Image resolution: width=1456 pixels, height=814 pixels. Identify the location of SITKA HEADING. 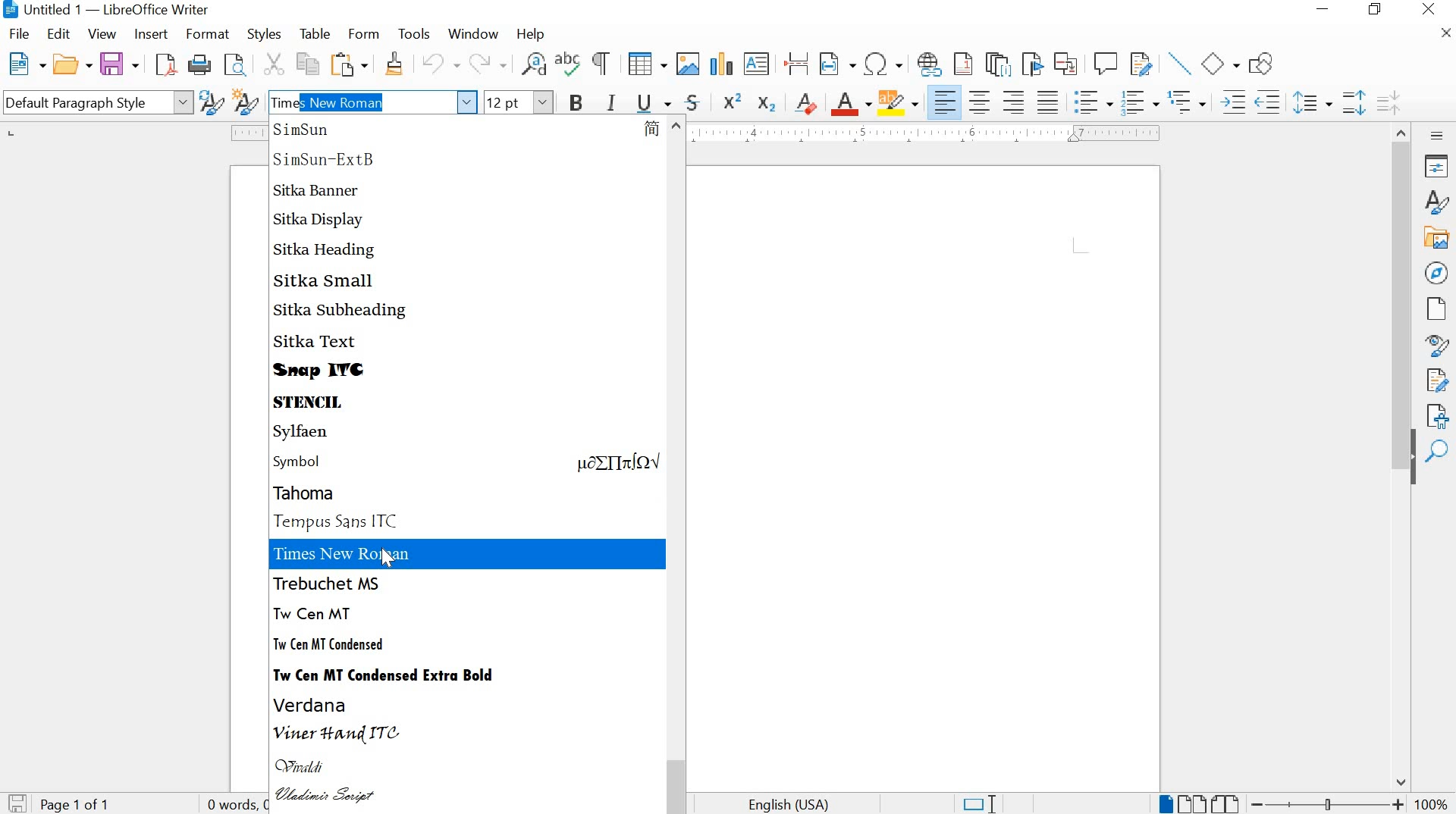
(326, 250).